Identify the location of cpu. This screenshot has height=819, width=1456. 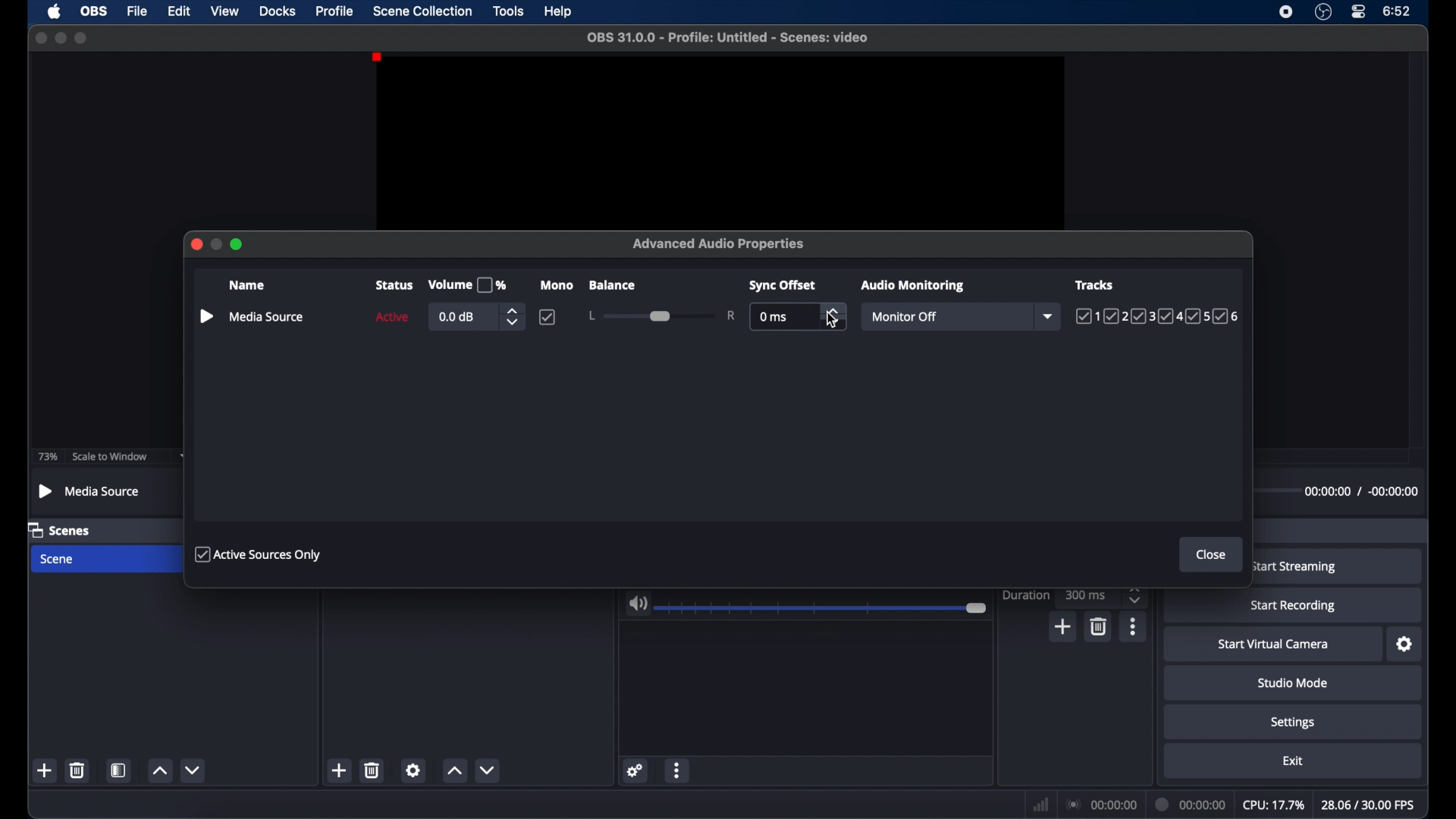
(1272, 805).